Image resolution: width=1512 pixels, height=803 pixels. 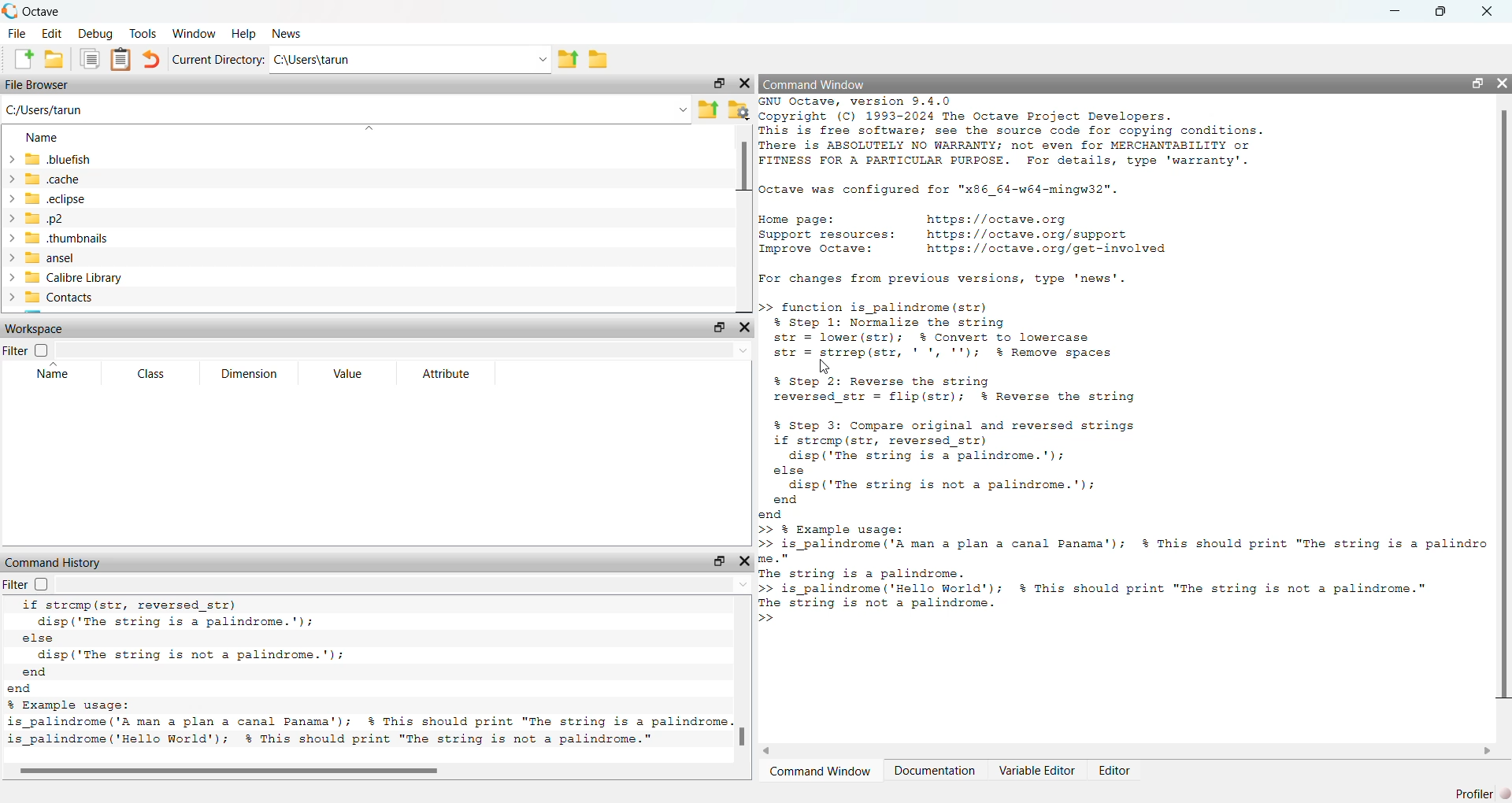 What do you see at coordinates (1477, 81) in the screenshot?
I see `unlock widget` at bounding box center [1477, 81].